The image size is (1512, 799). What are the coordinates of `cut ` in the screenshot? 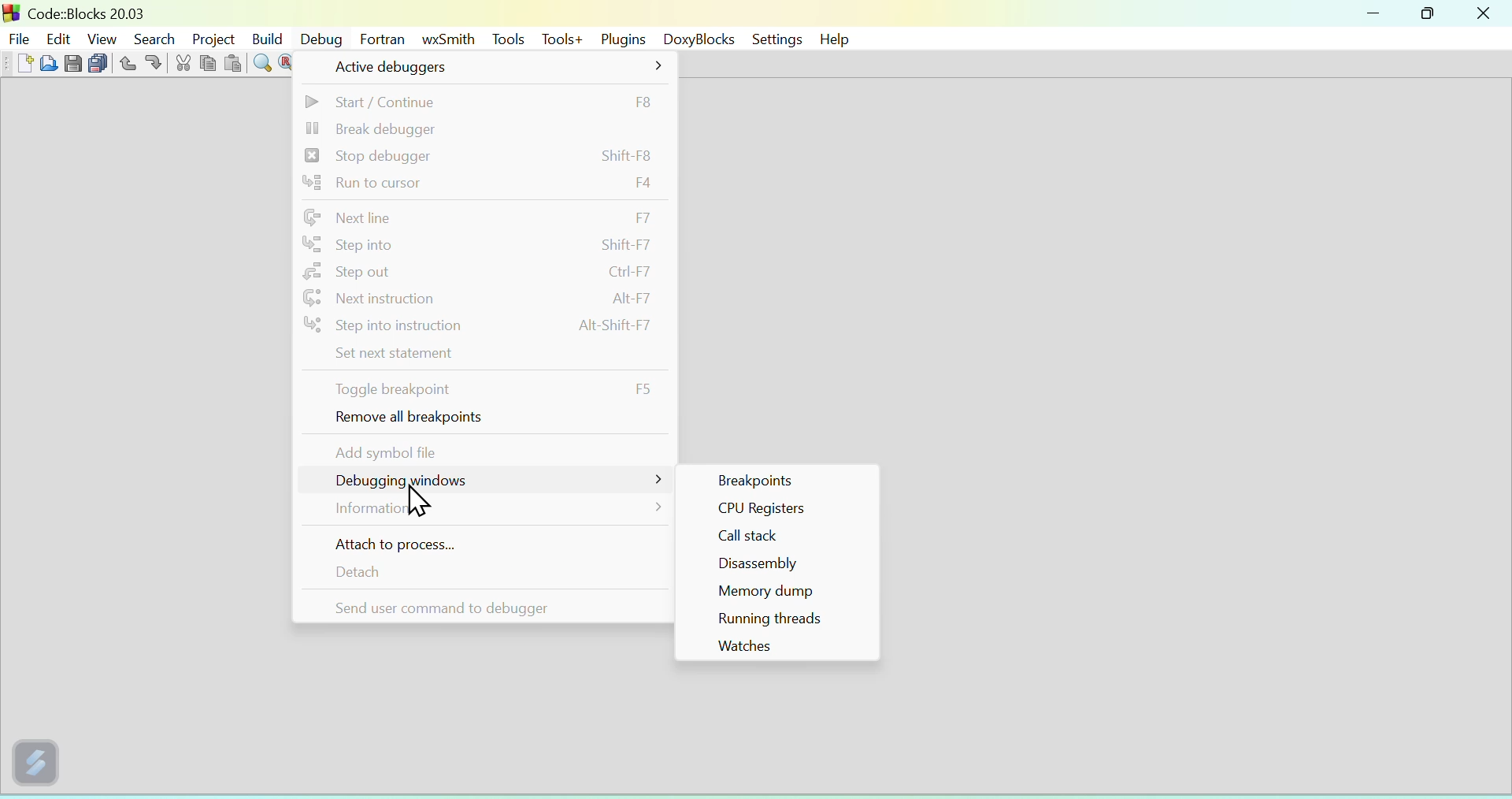 It's located at (183, 65).